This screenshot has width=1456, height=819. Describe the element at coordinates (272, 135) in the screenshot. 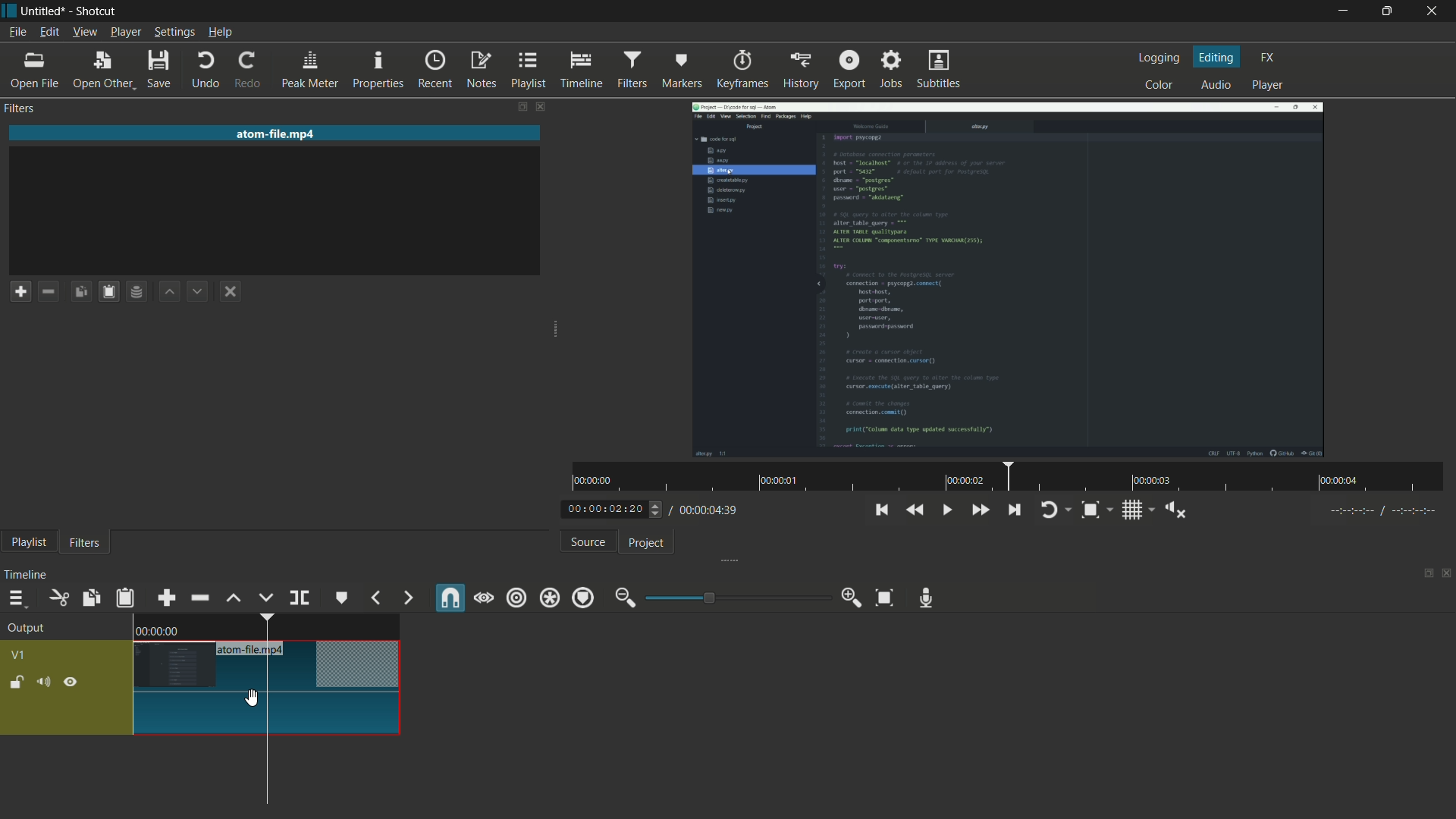

I see `imported file name` at that location.